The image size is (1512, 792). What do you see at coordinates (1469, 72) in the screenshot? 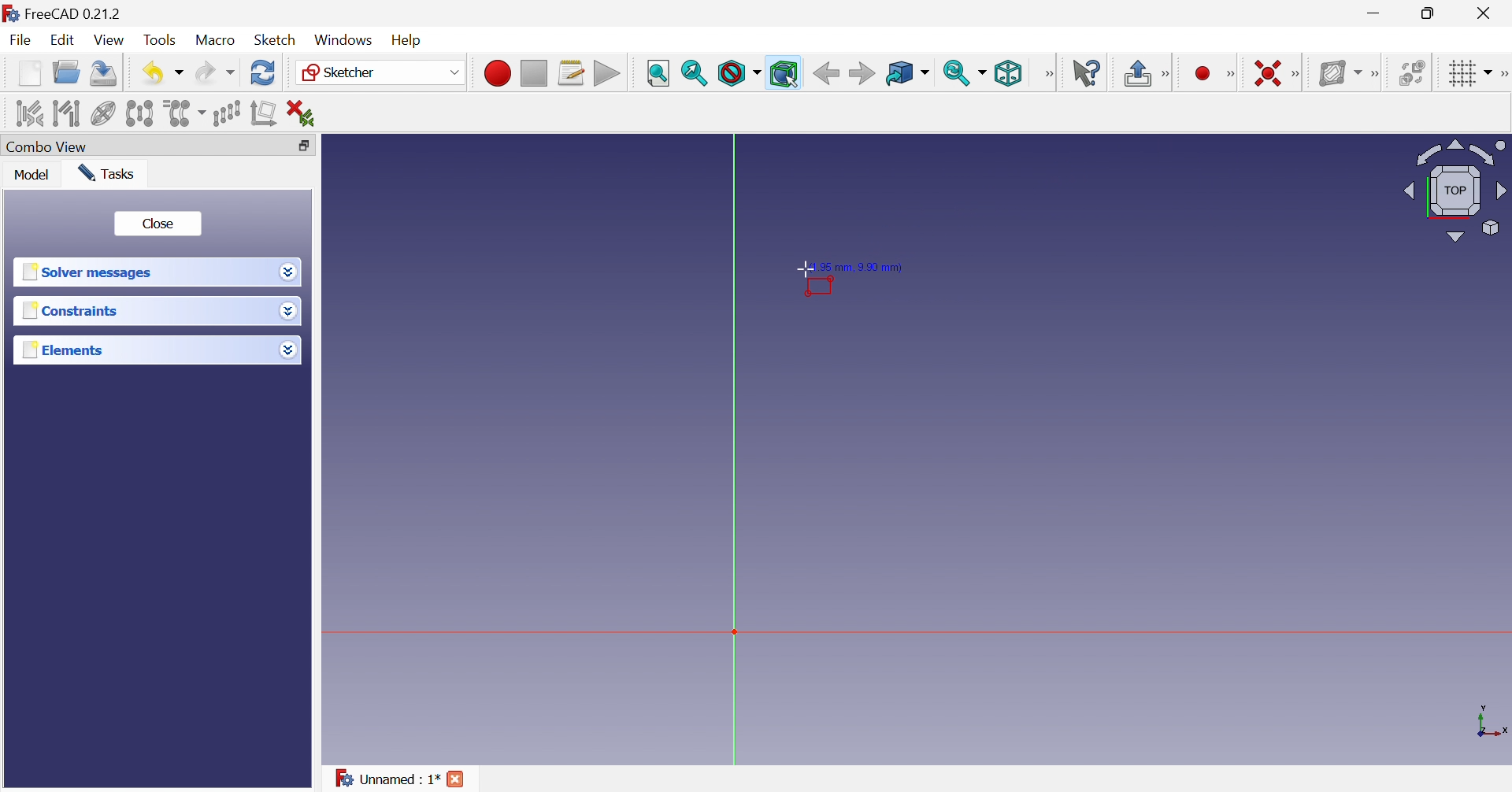
I see `Toggle grid` at bounding box center [1469, 72].